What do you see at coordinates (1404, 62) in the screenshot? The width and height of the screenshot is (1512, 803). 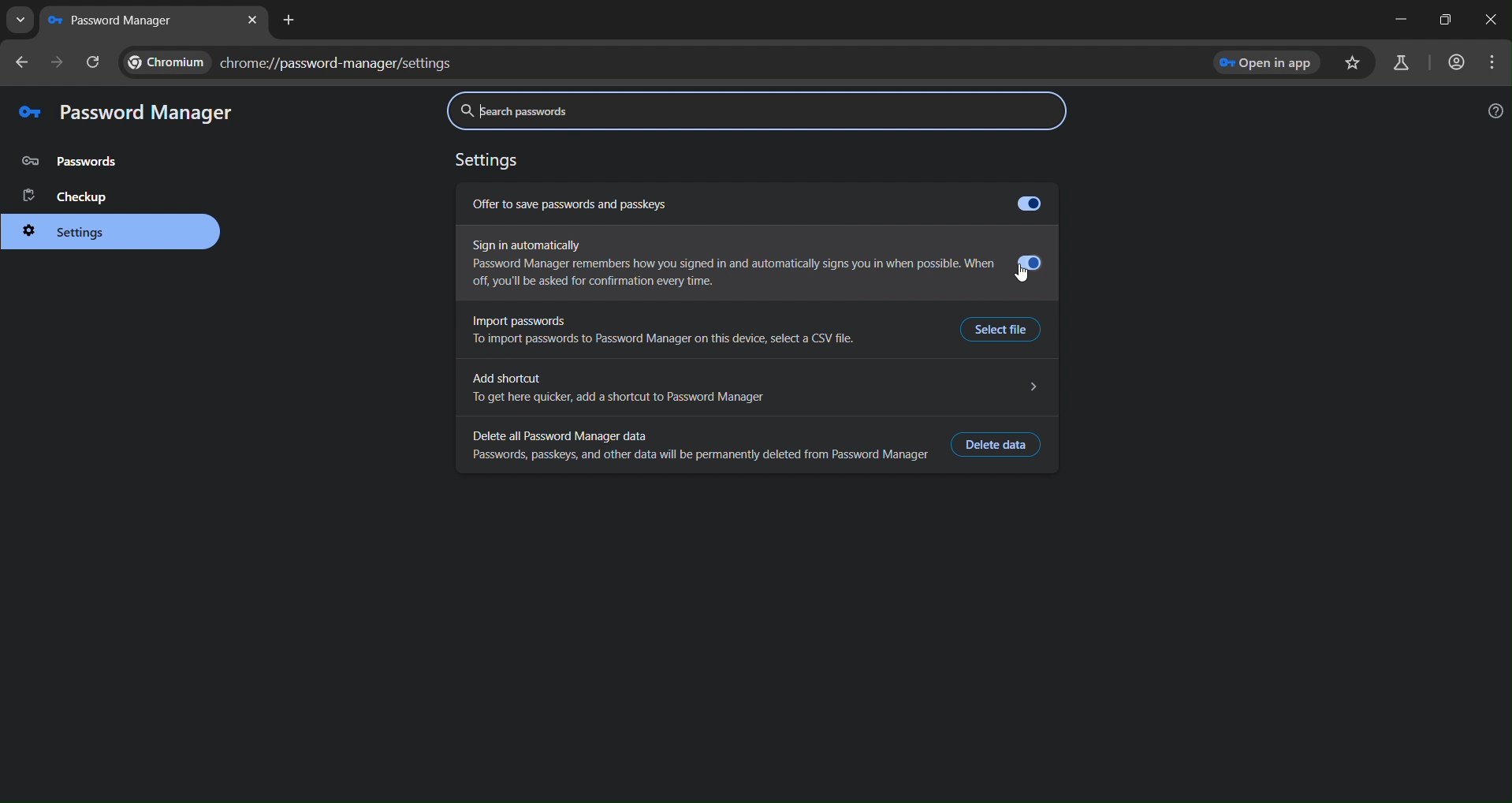 I see `search labs` at bounding box center [1404, 62].